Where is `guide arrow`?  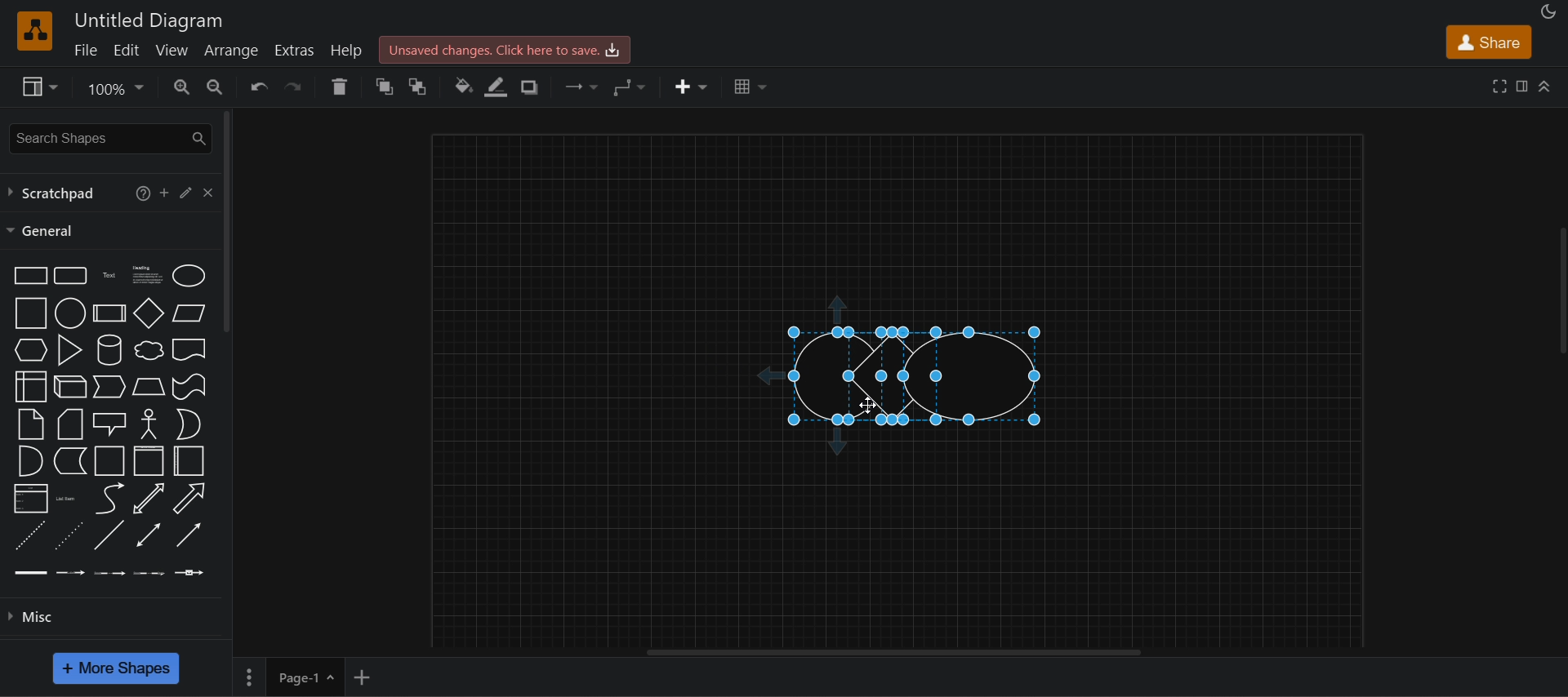
guide arrow is located at coordinates (840, 444).